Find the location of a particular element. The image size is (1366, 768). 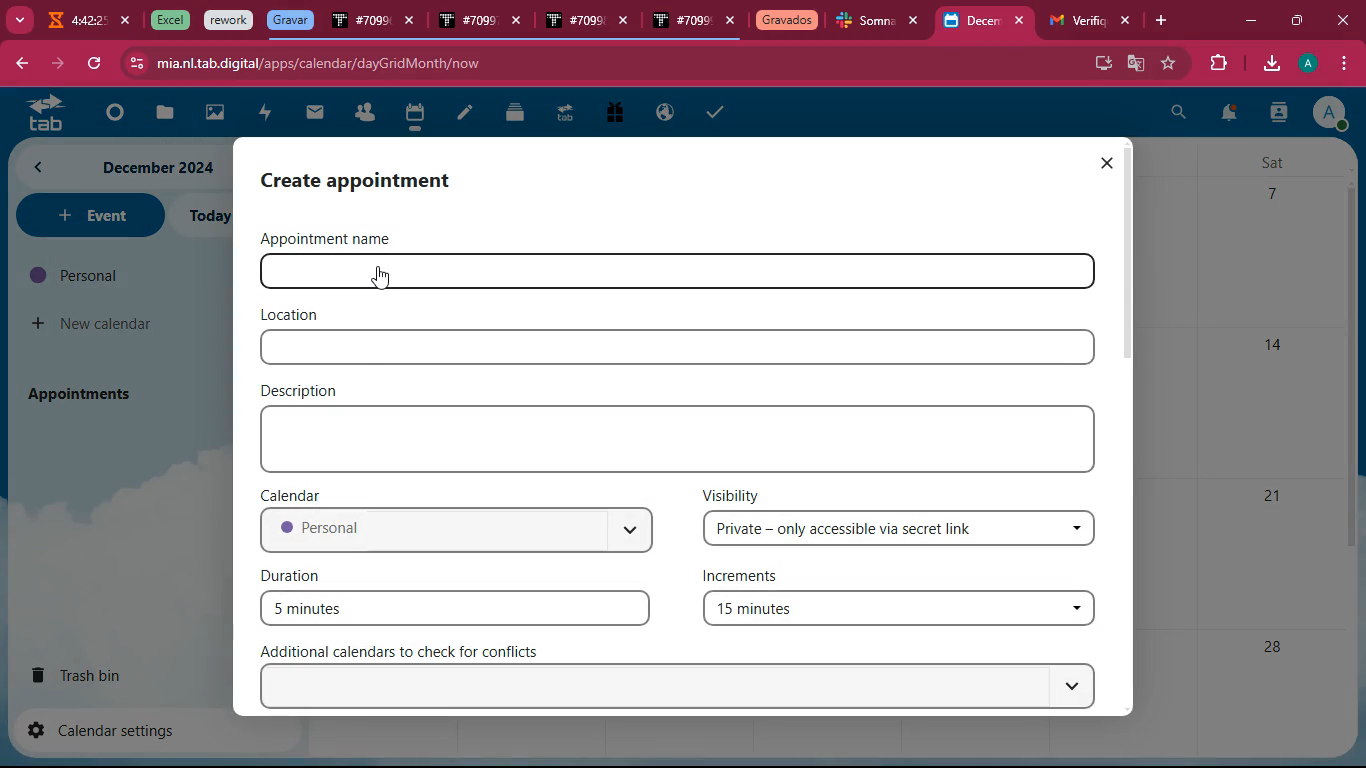

cursor is located at coordinates (377, 279).